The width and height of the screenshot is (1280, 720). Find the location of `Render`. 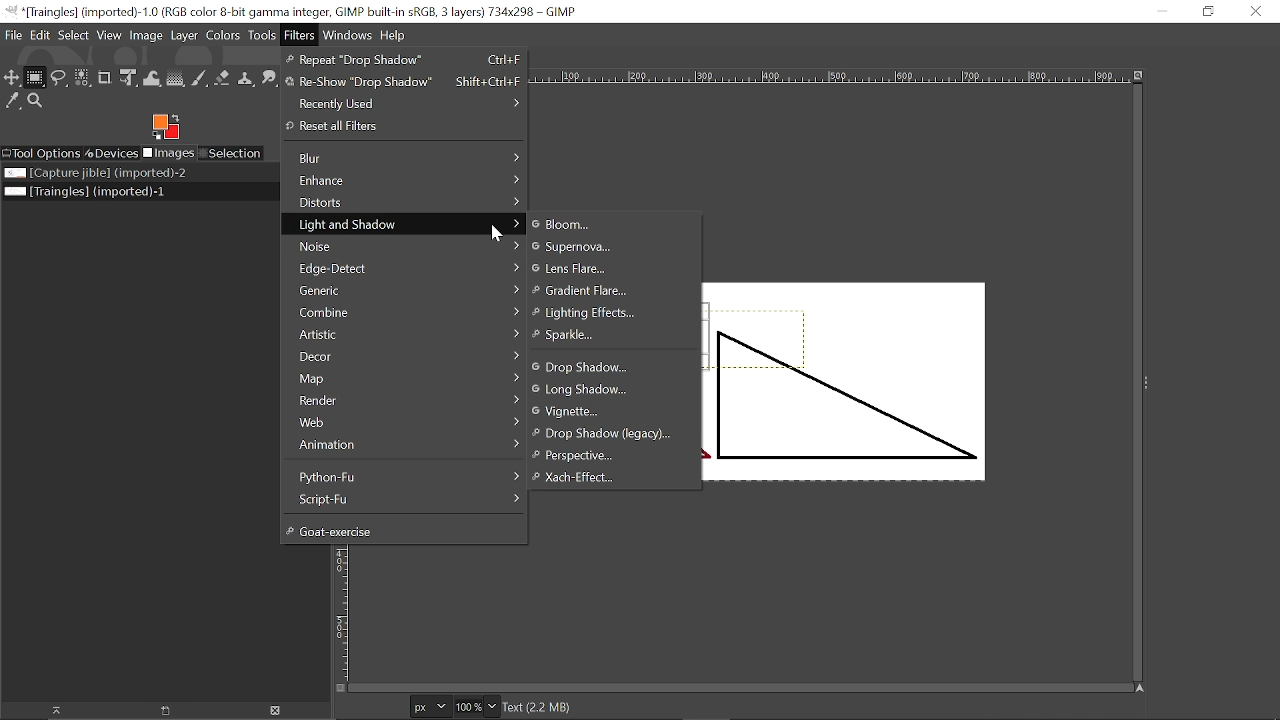

Render is located at coordinates (405, 402).